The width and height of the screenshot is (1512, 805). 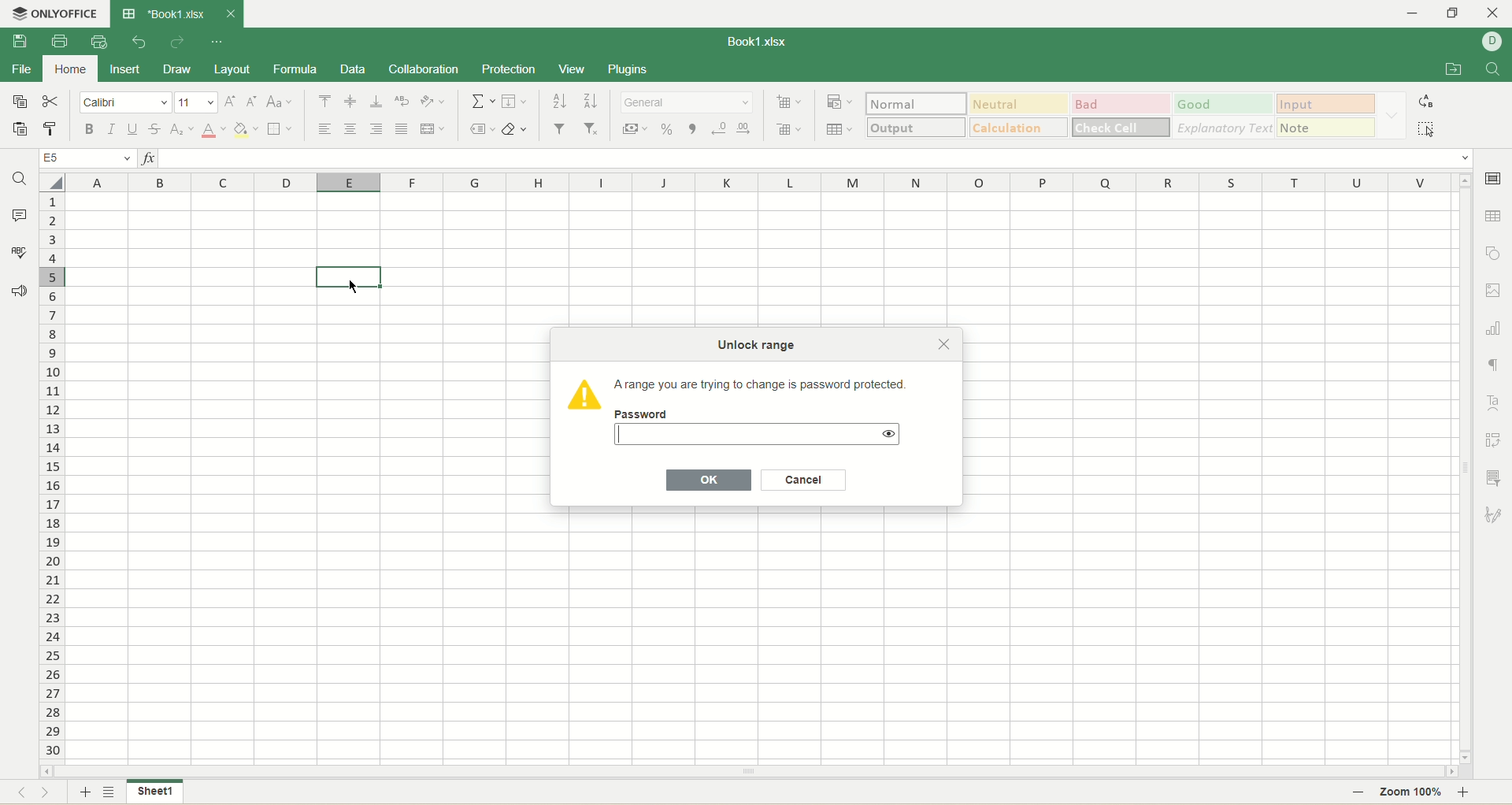 I want to click on calculations, so click(x=1020, y=127).